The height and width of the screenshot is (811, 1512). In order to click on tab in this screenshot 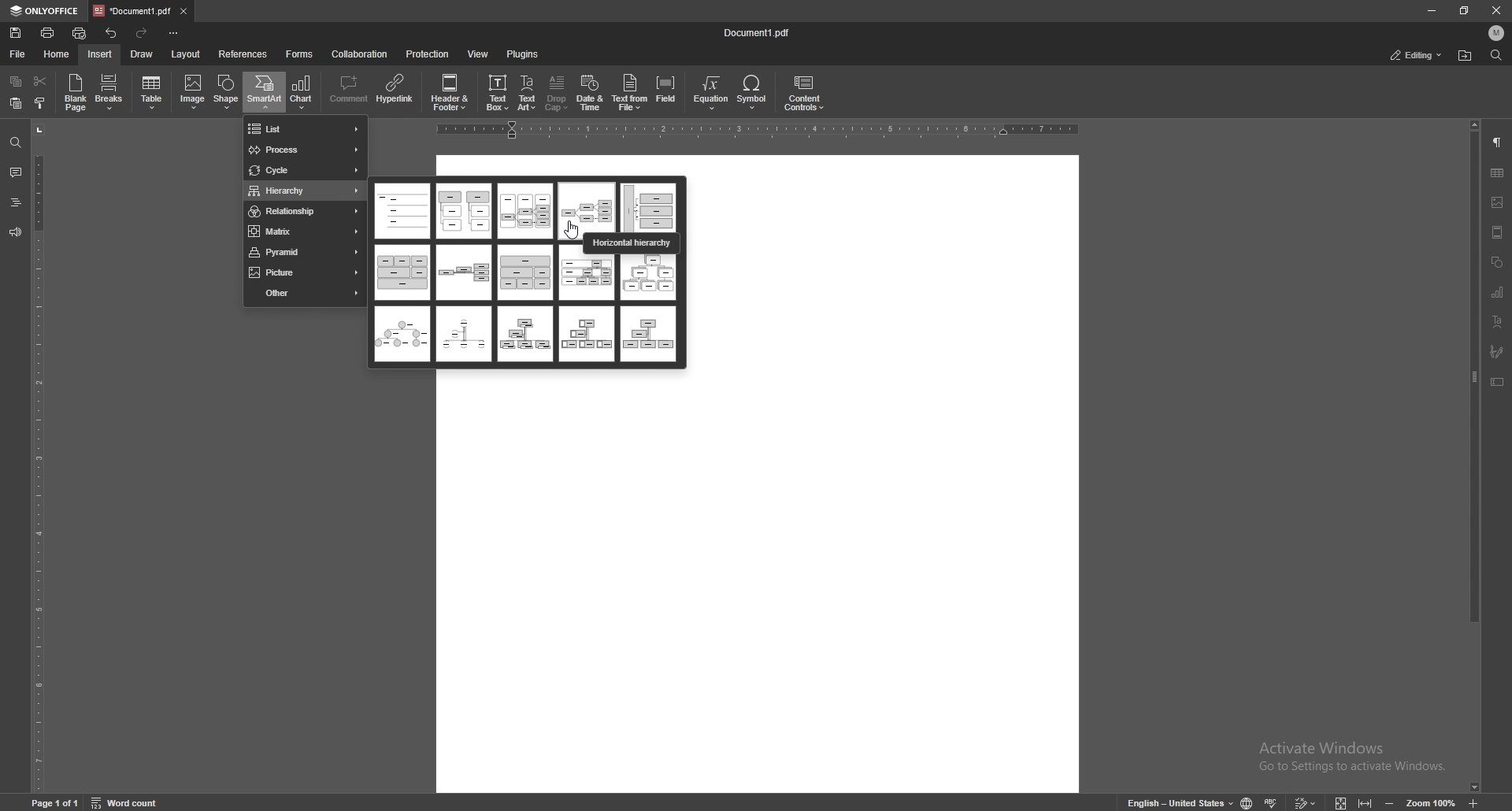, I will do `click(132, 11)`.